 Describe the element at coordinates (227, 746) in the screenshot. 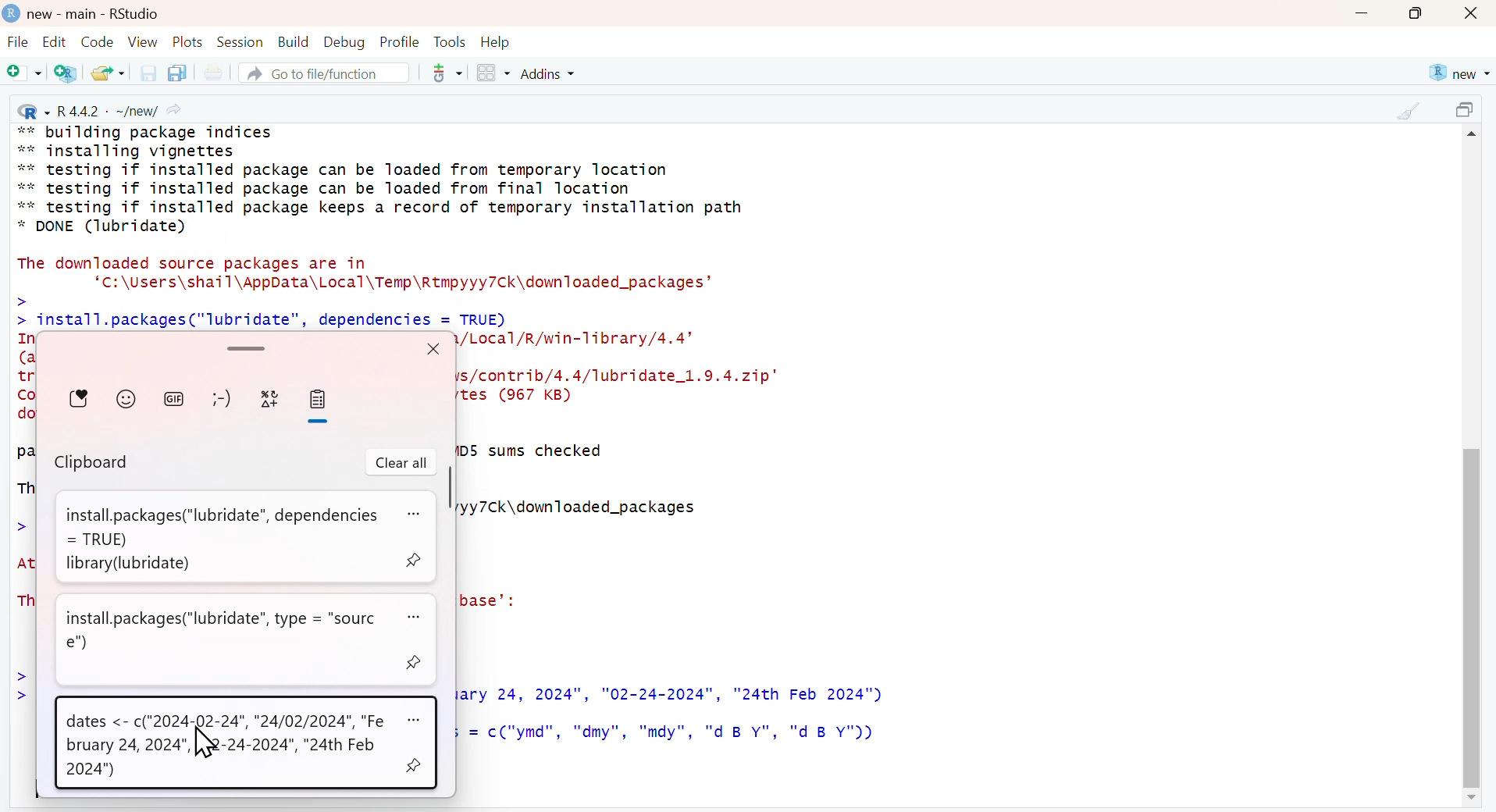

I see `dates <- ¢("2024-02-24", "24/02/2024", "Fe
bruary 24, 2024", "02-24-2024", "24th Feb
2024")` at that location.